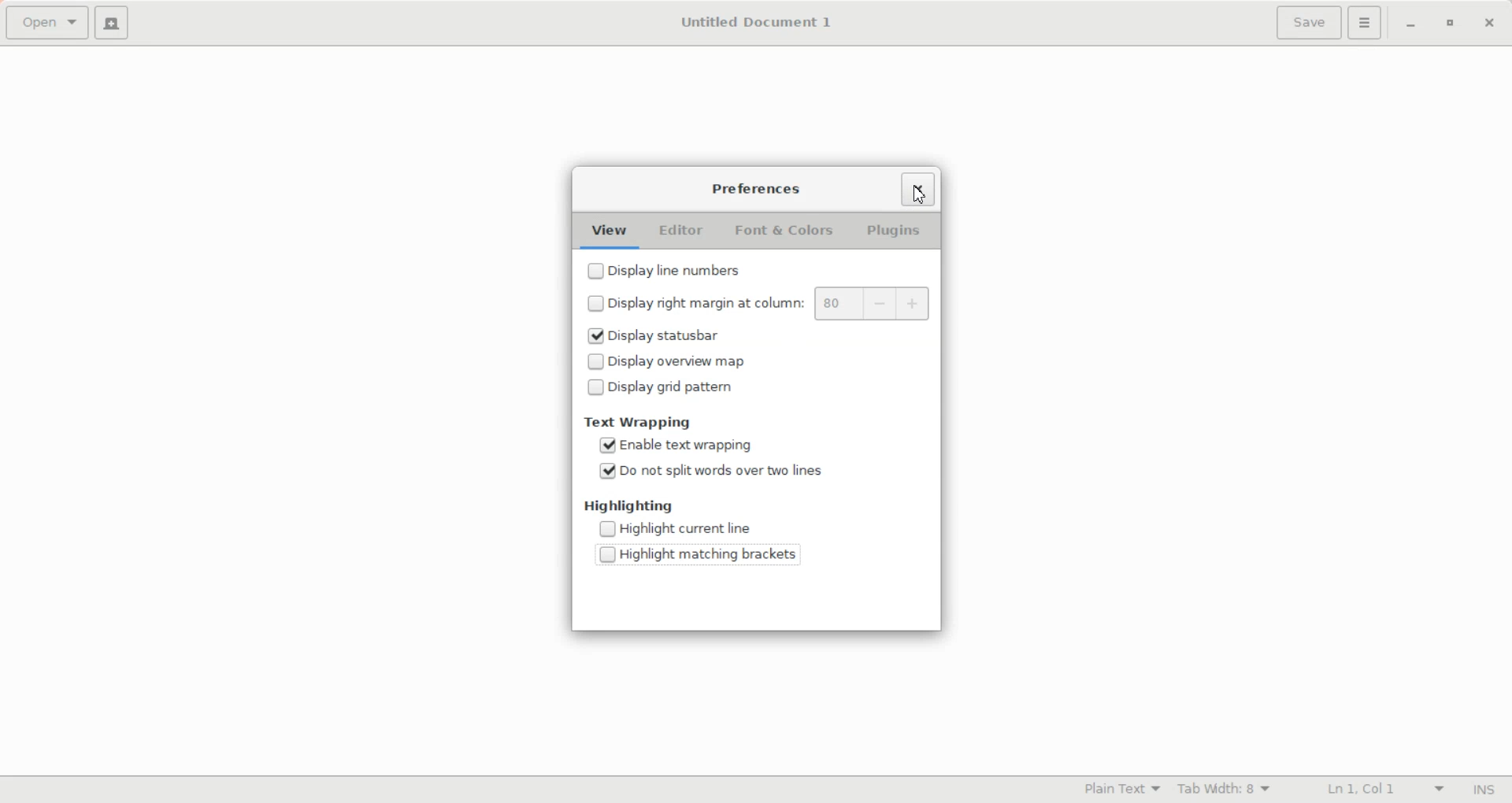 The width and height of the screenshot is (1512, 803). Describe the element at coordinates (681, 231) in the screenshot. I see `Editor` at that location.